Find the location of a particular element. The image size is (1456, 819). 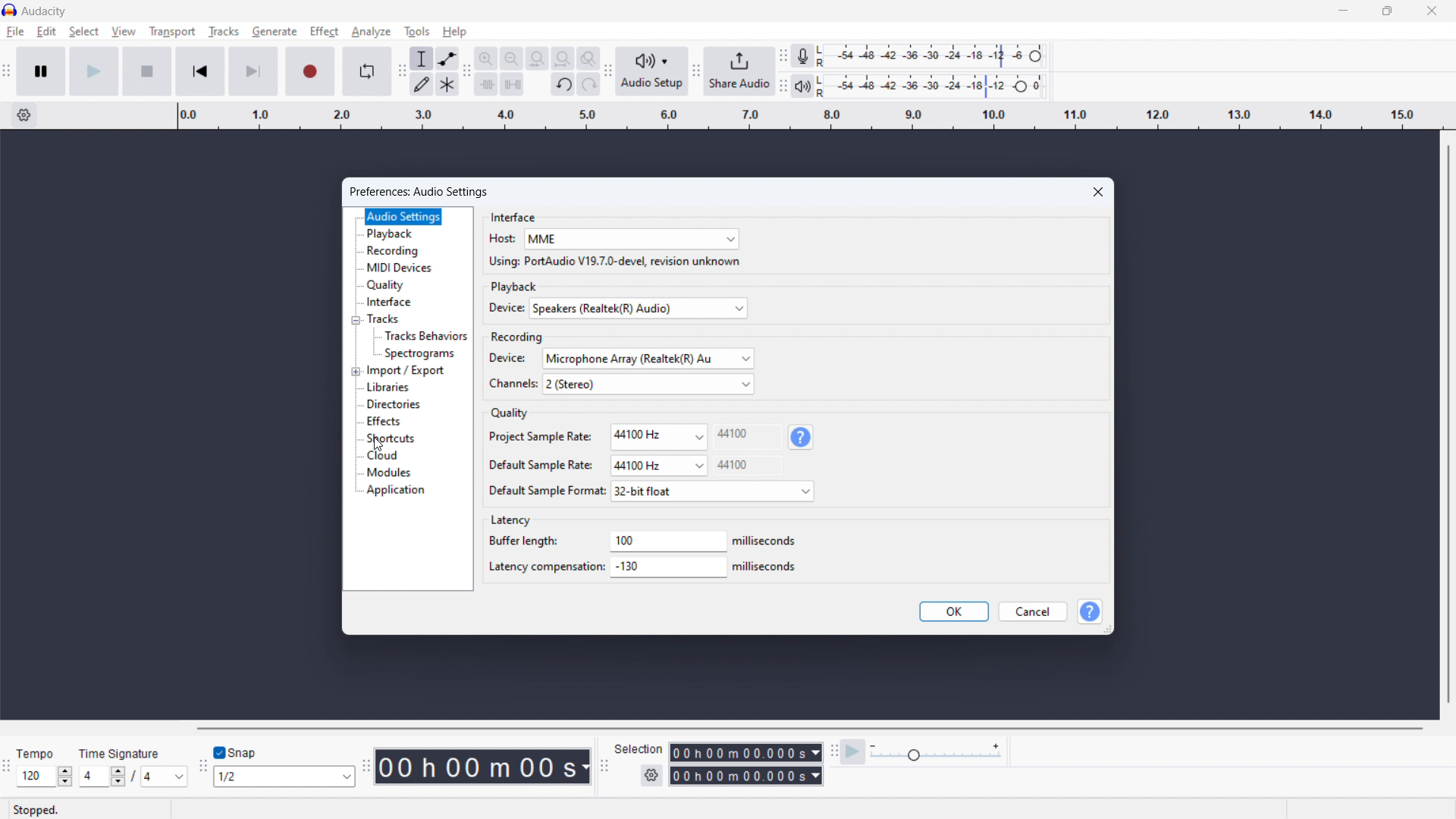

Indicates device options is located at coordinates (507, 308).